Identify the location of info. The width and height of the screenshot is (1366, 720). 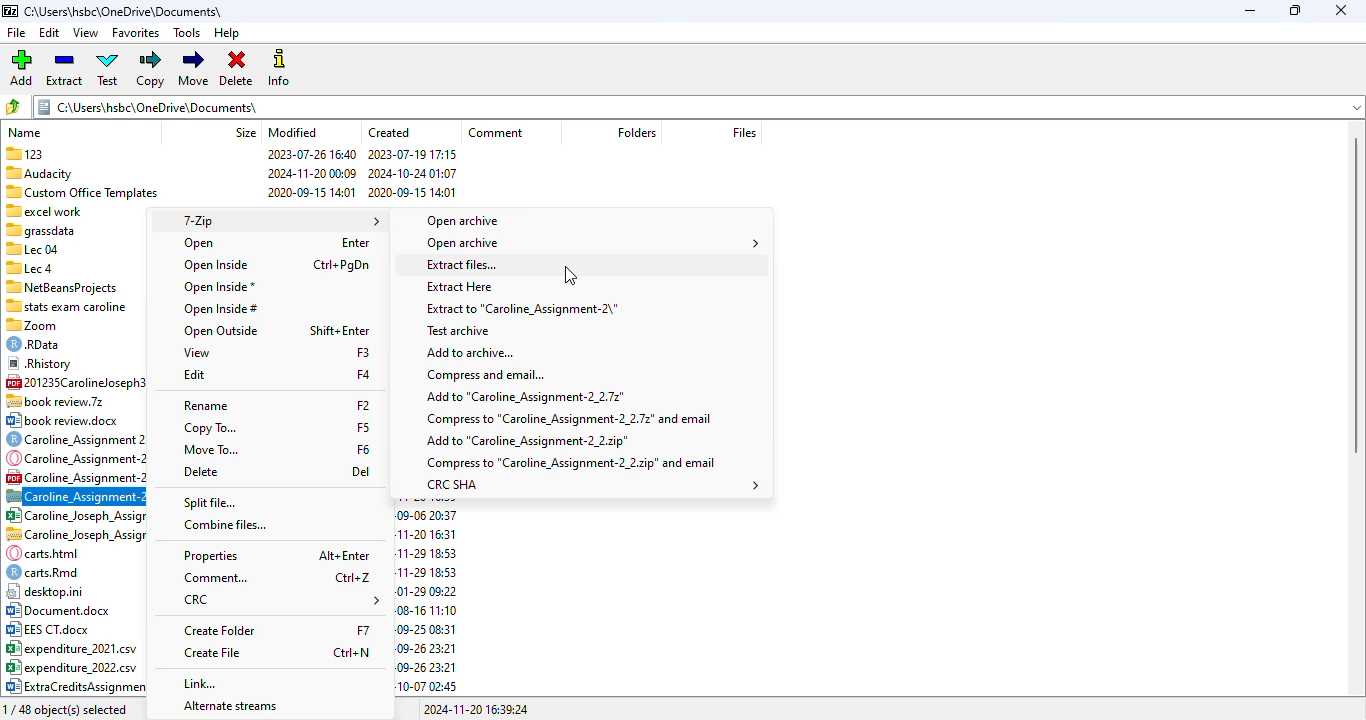
(278, 68).